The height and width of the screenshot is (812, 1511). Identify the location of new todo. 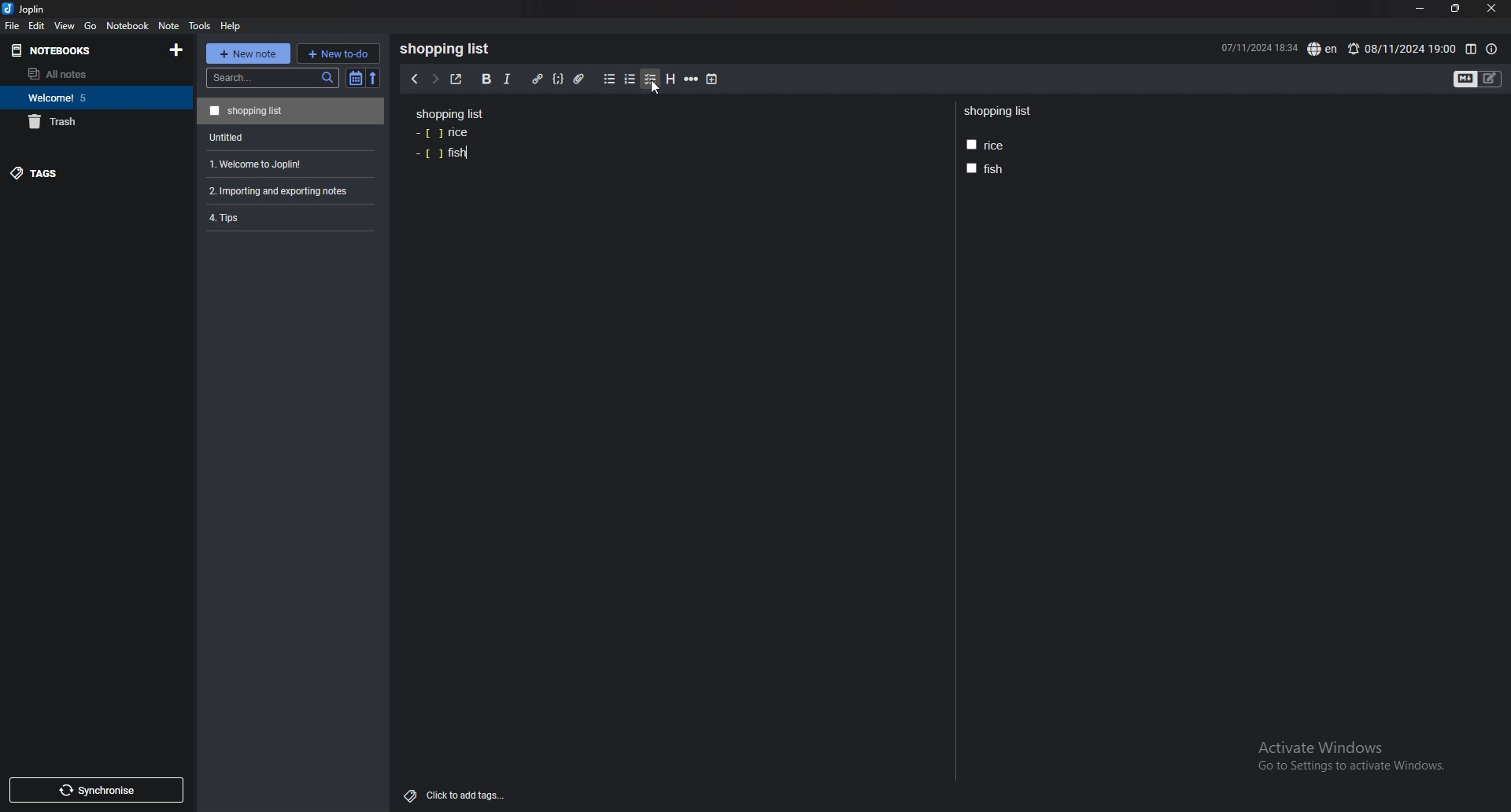
(338, 53).